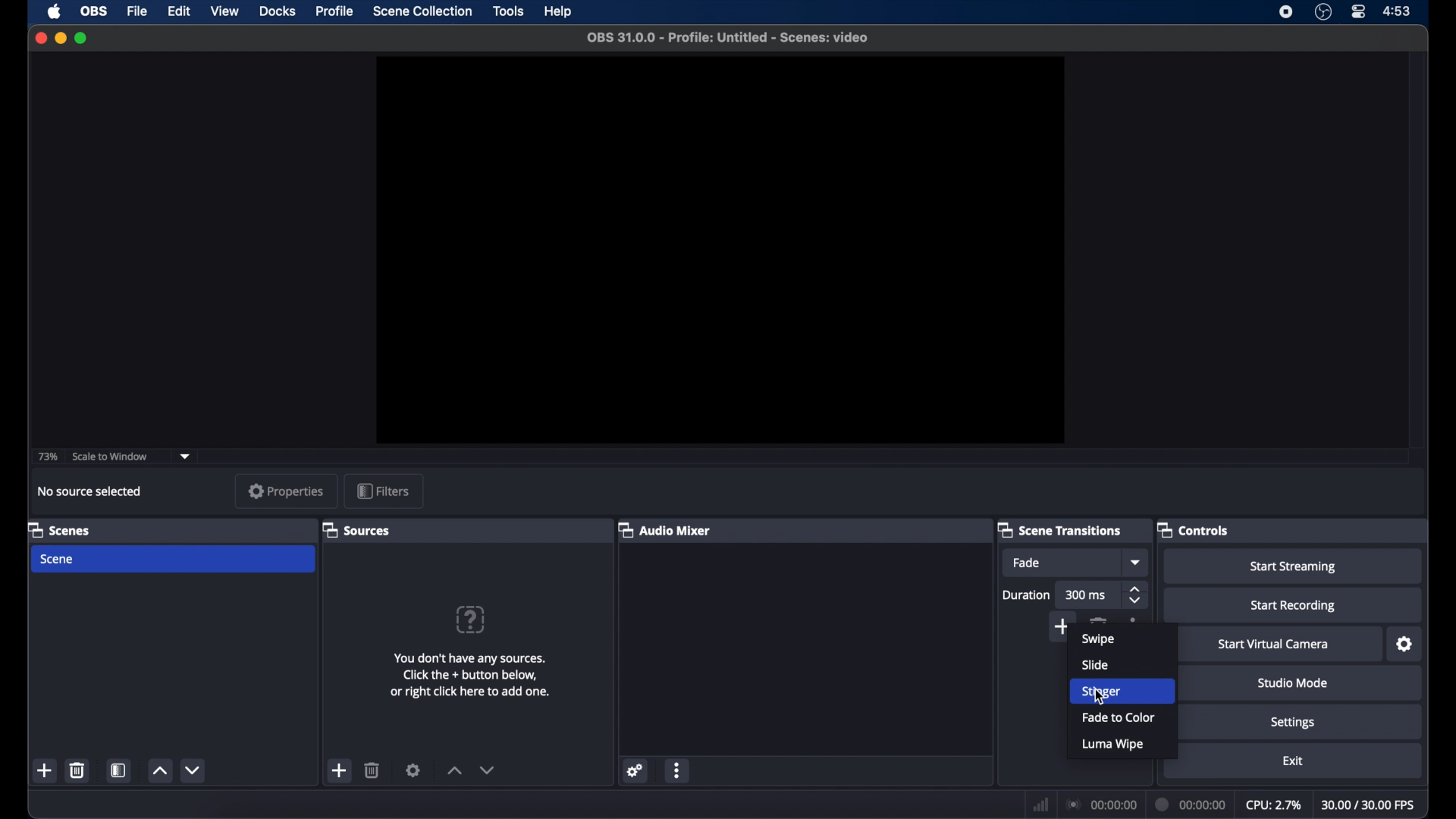 The width and height of the screenshot is (1456, 819). Describe the element at coordinates (1136, 595) in the screenshot. I see `stepper buttons` at that location.